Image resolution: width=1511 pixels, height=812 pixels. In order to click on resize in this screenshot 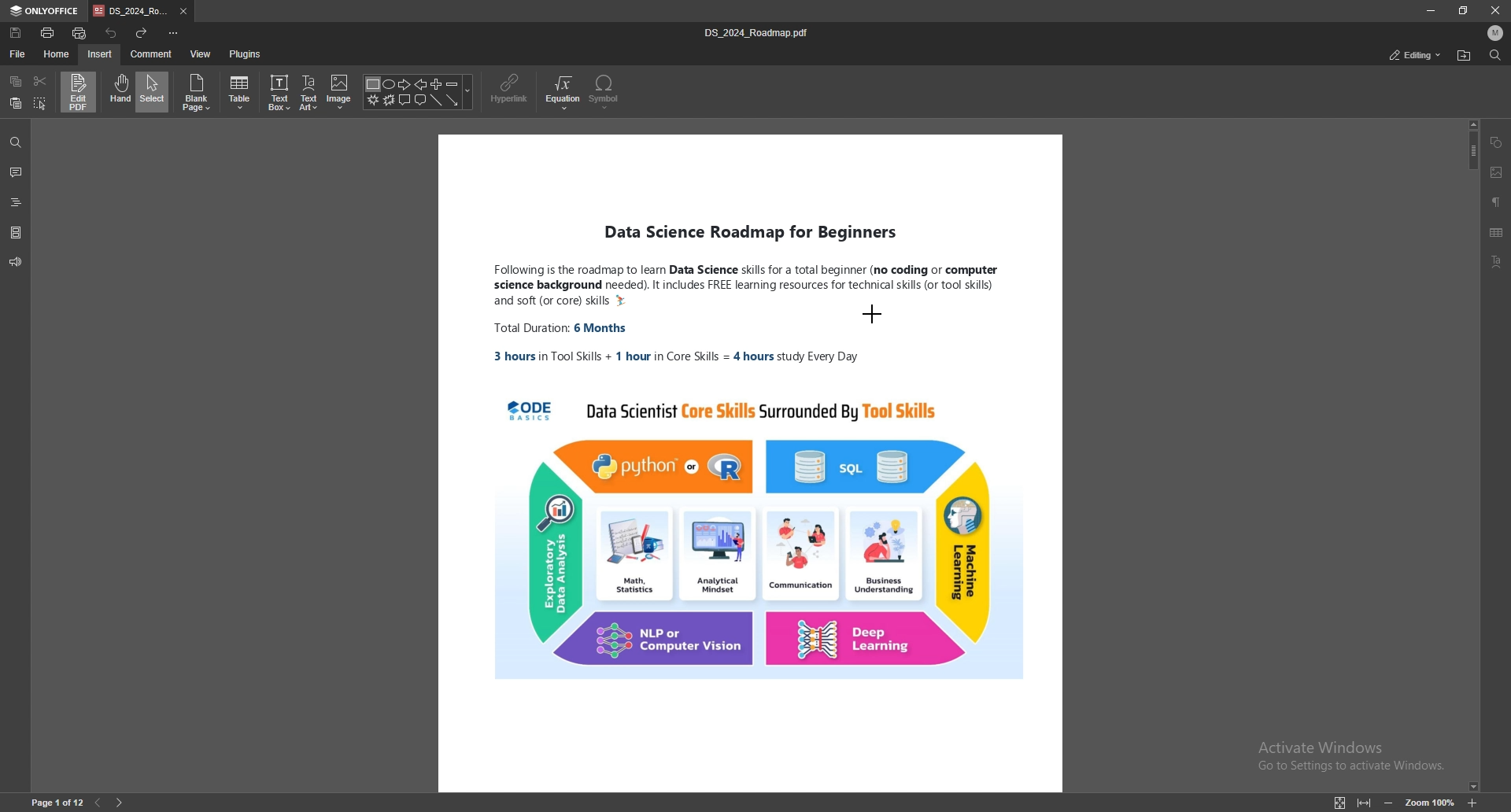, I will do `click(1464, 10)`.